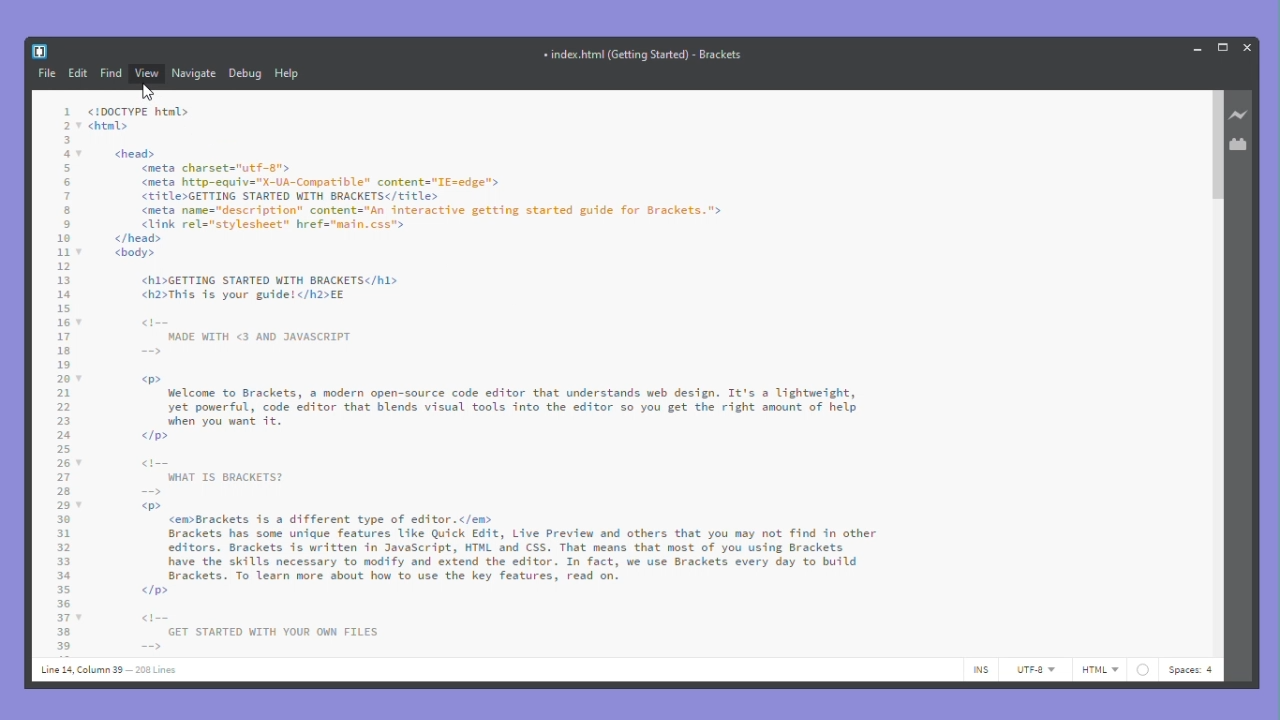 Image resolution: width=1280 pixels, height=720 pixels. Describe the element at coordinates (67, 183) in the screenshot. I see `6` at that location.